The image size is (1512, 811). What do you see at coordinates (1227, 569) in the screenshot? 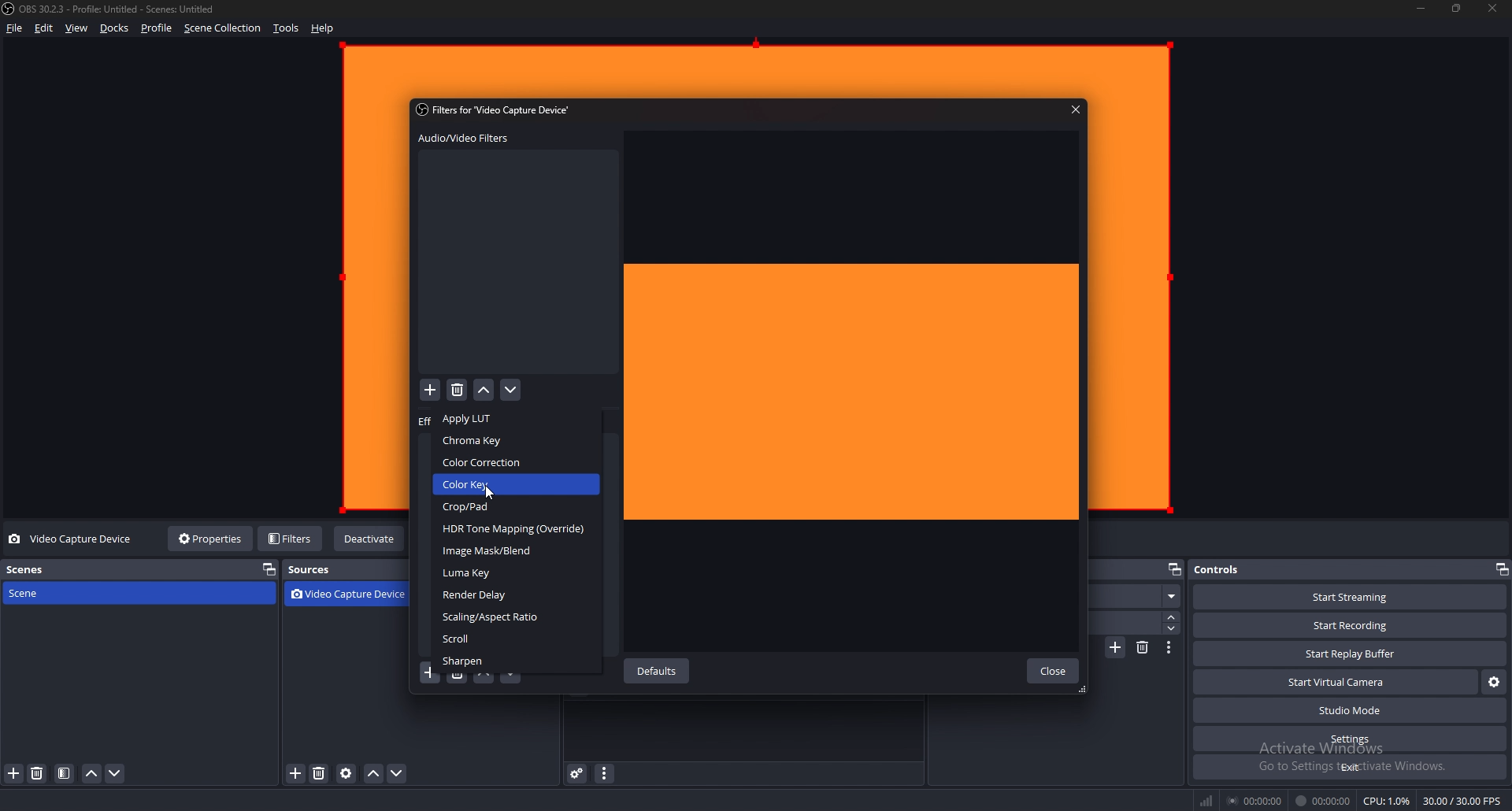
I see `controls` at bounding box center [1227, 569].